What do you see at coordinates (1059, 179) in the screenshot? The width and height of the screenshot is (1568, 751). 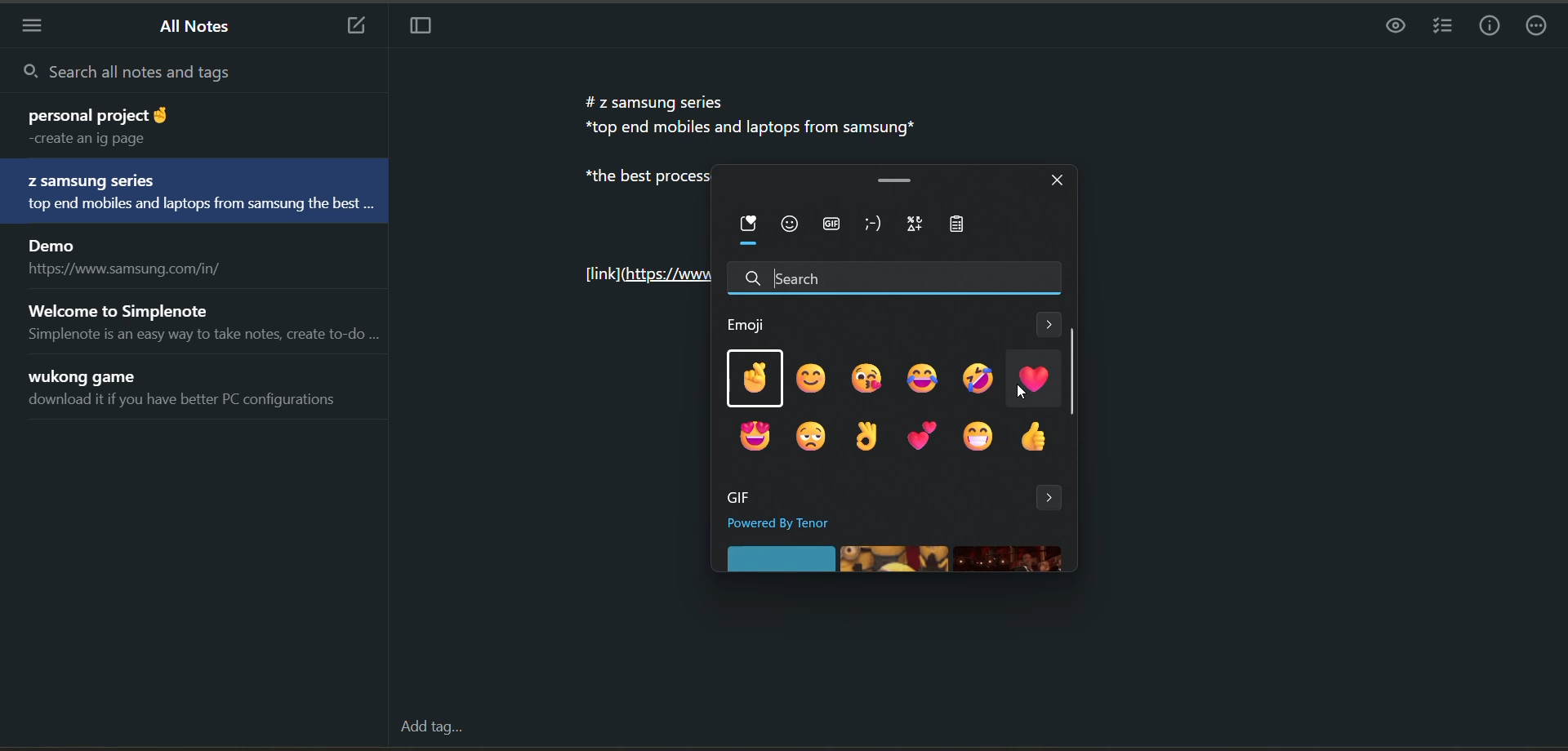 I see `close` at bounding box center [1059, 179].